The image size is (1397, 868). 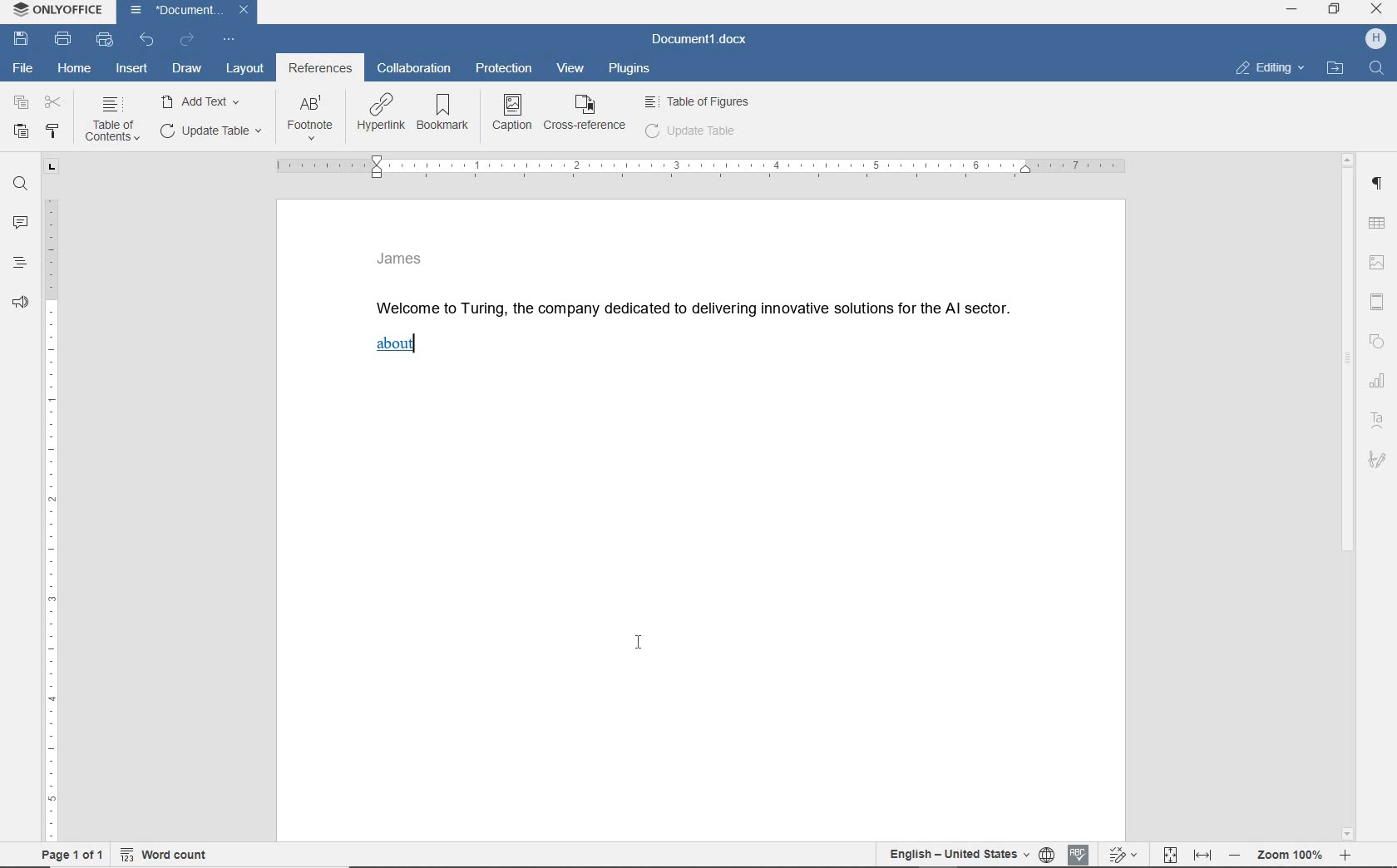 I want to click on Welcome to Turing, the company dedicated to delivering innovative solutions for the Al sector., so click(x=699, y=304).